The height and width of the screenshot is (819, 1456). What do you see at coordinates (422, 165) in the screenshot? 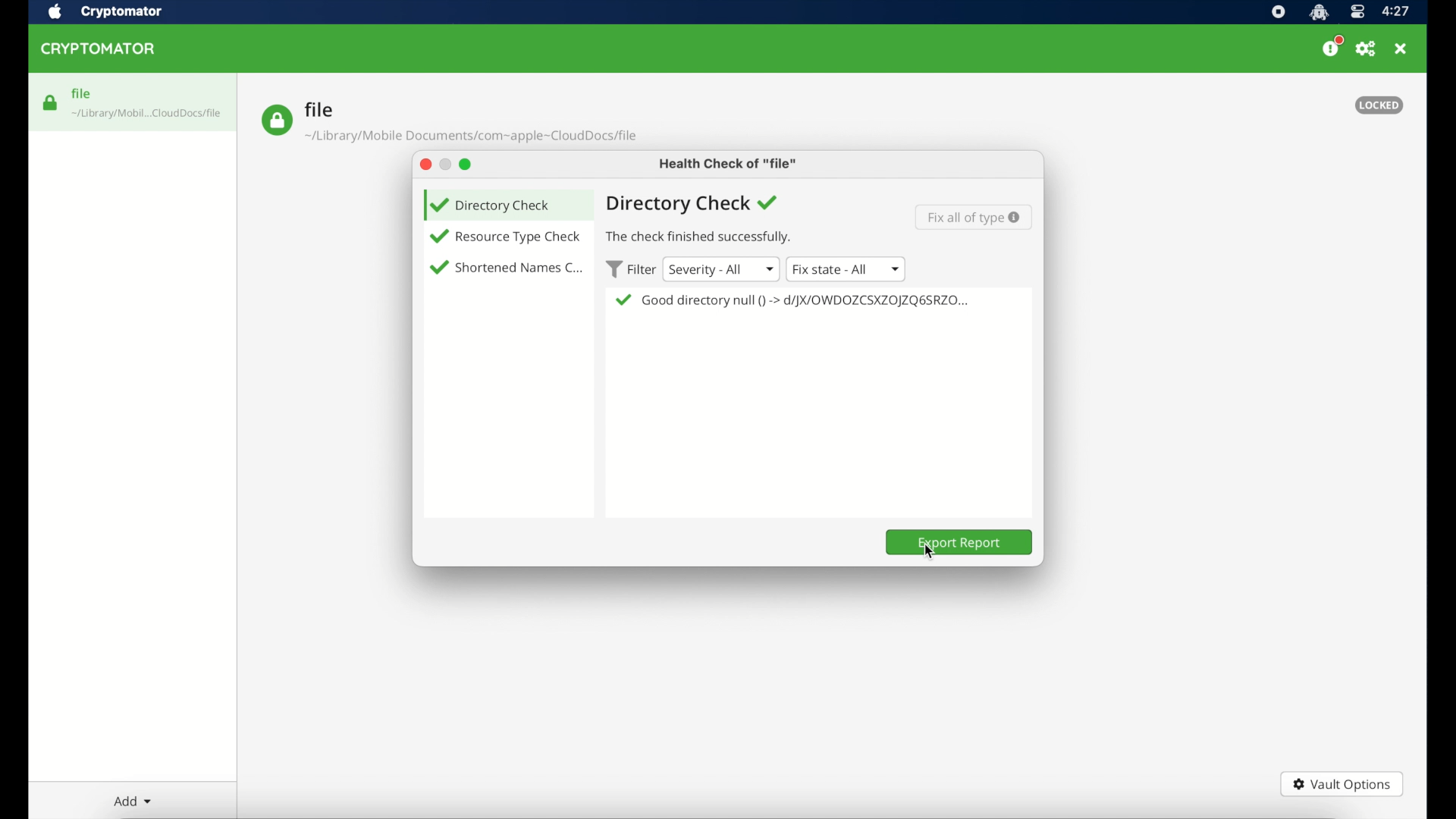
I see `close` at bounding box center [422, 165].